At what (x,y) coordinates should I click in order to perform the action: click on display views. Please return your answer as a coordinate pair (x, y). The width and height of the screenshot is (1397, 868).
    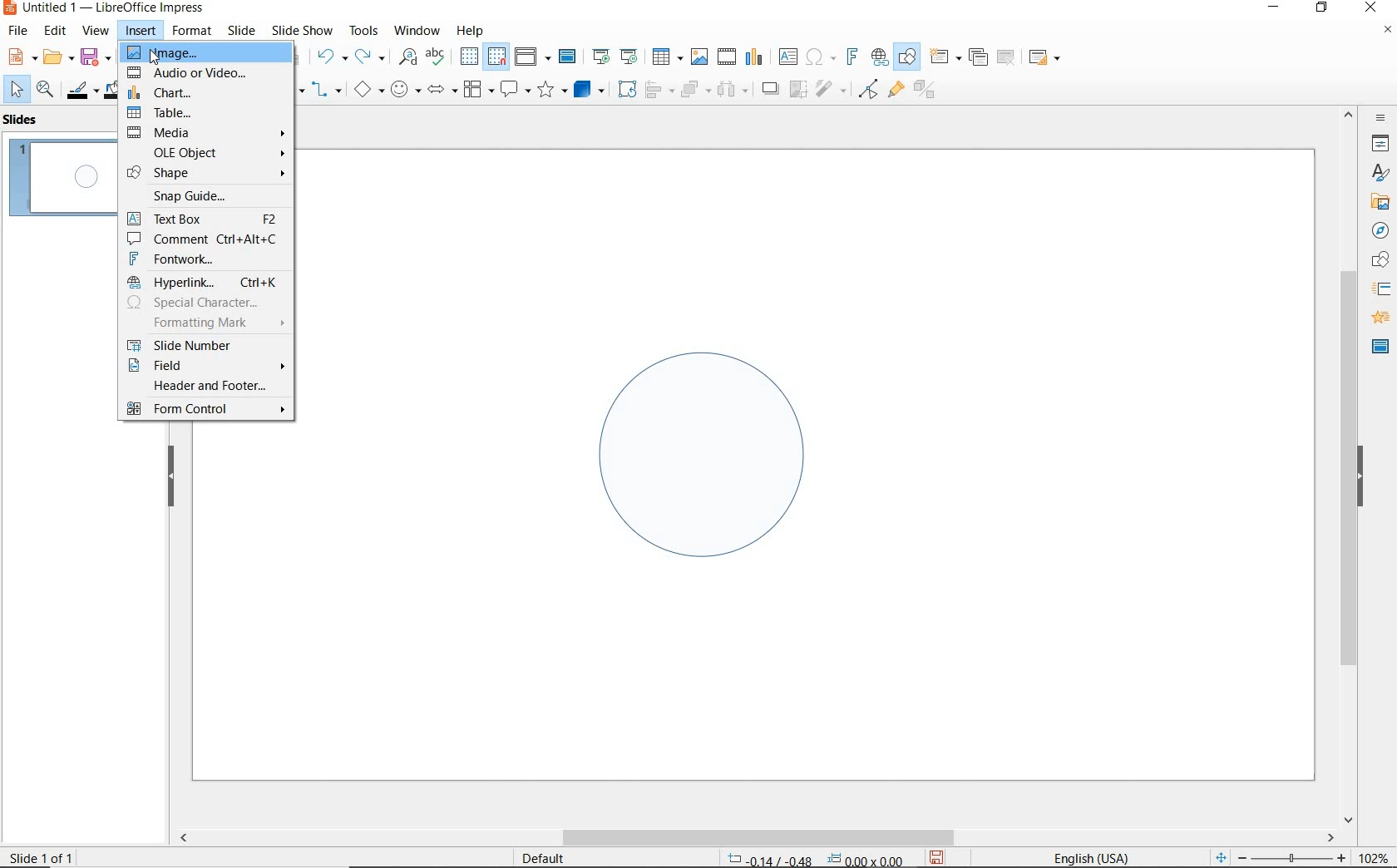
    Looking at the image, I should click on (533, 58).